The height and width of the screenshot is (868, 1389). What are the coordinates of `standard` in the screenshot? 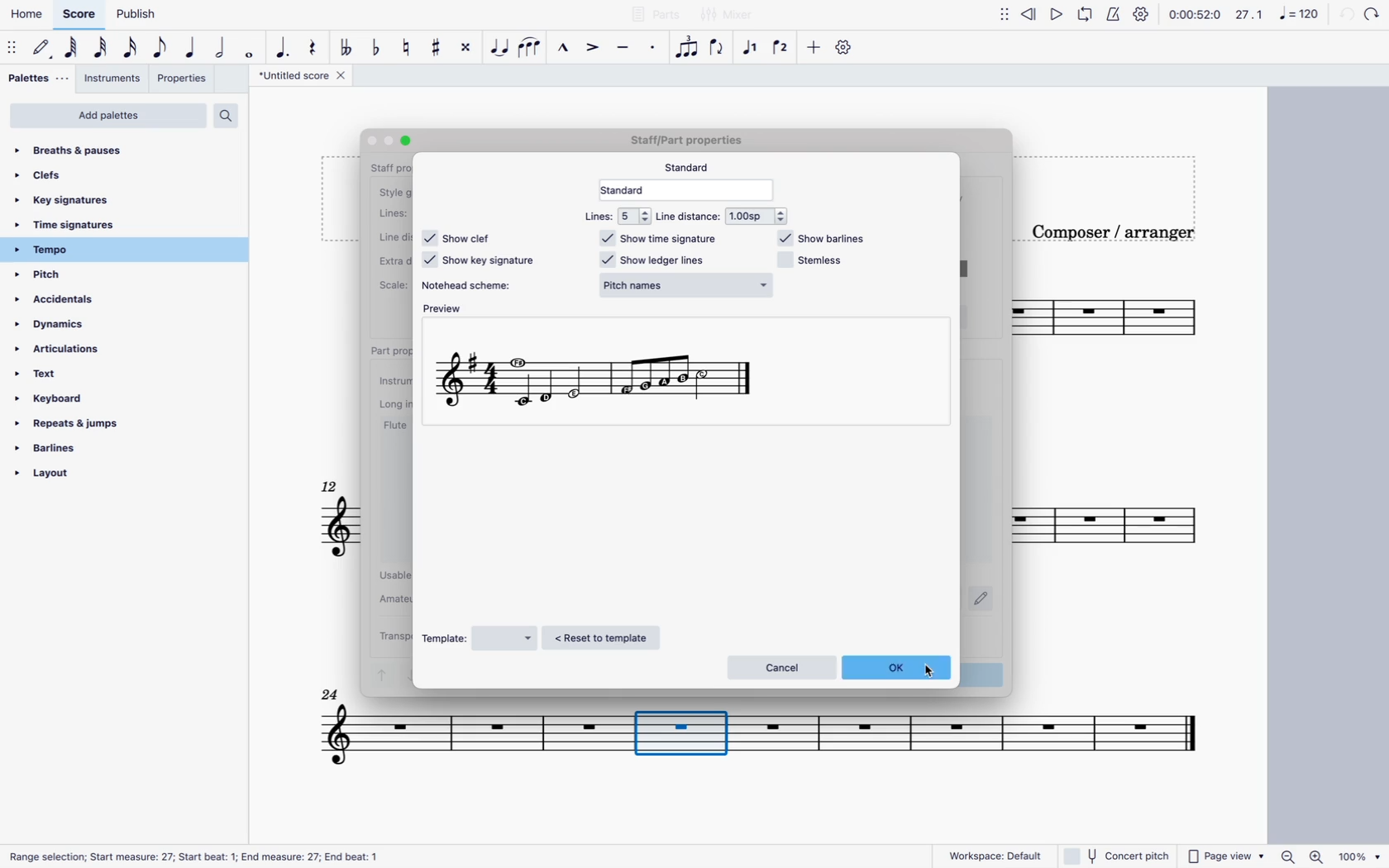 It's located at (692, 190).